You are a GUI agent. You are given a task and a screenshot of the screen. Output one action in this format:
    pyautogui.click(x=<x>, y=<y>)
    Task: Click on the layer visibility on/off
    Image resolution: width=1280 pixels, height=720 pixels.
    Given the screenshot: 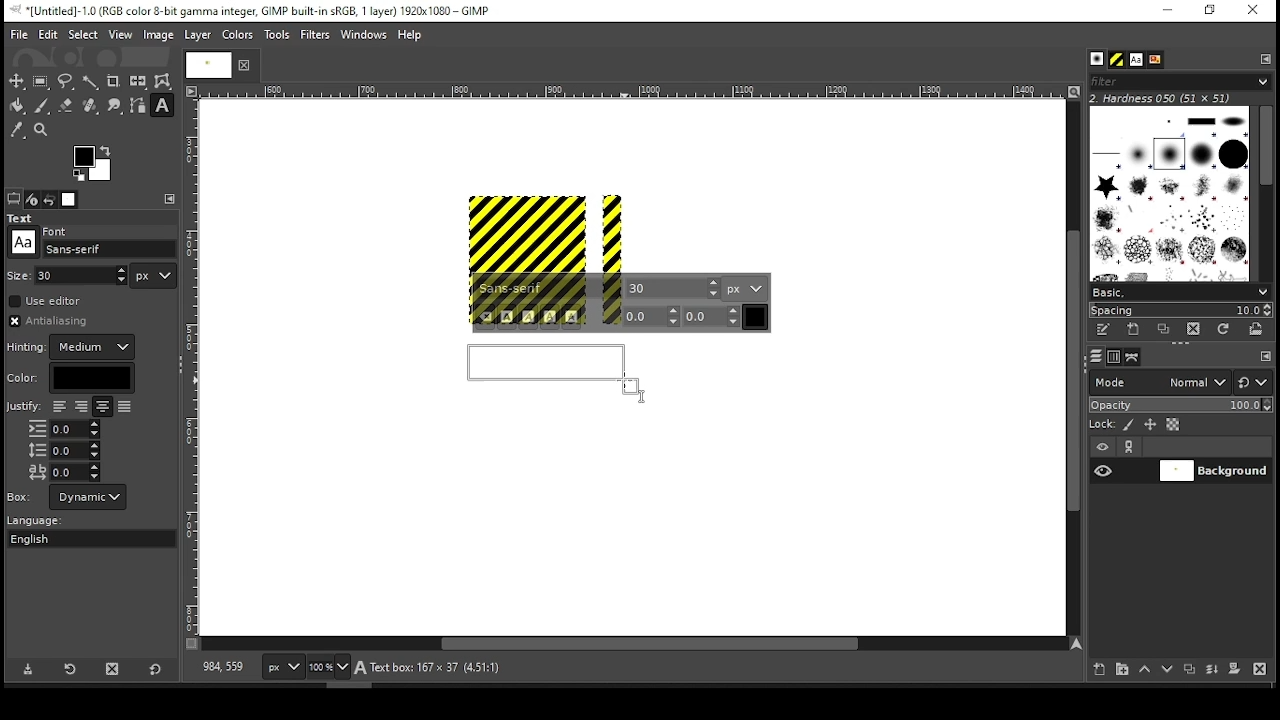 What is the action you would take?
    pyautogui.click(x=1104, y=470)
    